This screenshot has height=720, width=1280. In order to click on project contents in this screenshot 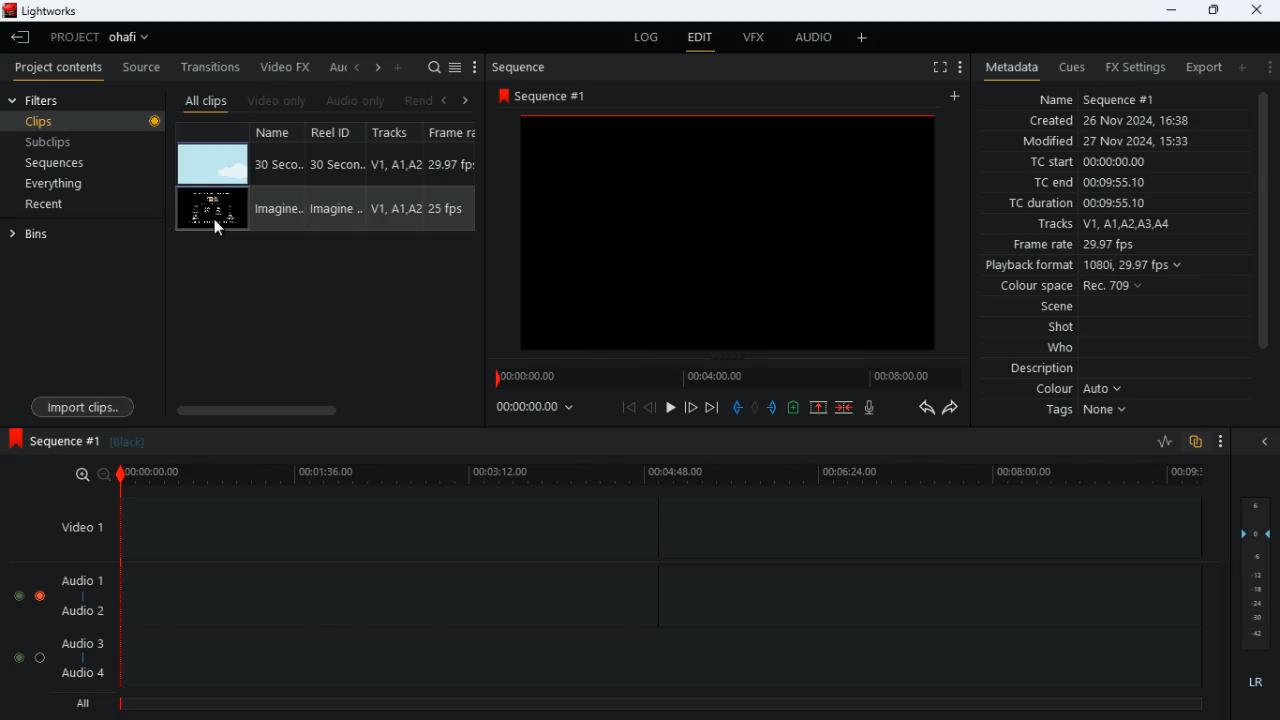, I will do `click(63, 68)`.